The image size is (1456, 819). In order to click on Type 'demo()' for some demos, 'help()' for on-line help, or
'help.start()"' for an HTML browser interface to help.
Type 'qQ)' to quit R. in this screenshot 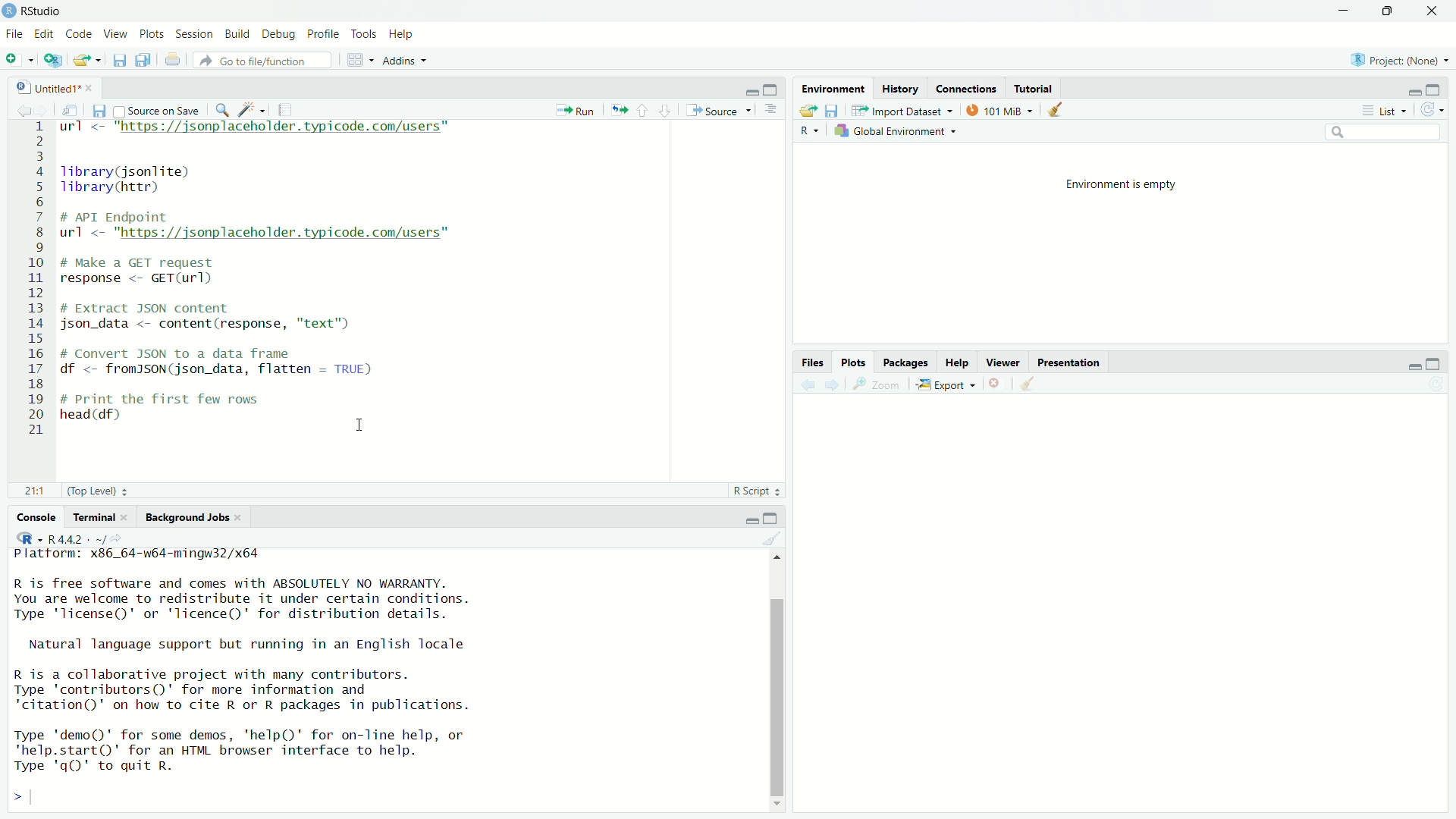, I will do `click(240, 753)`.